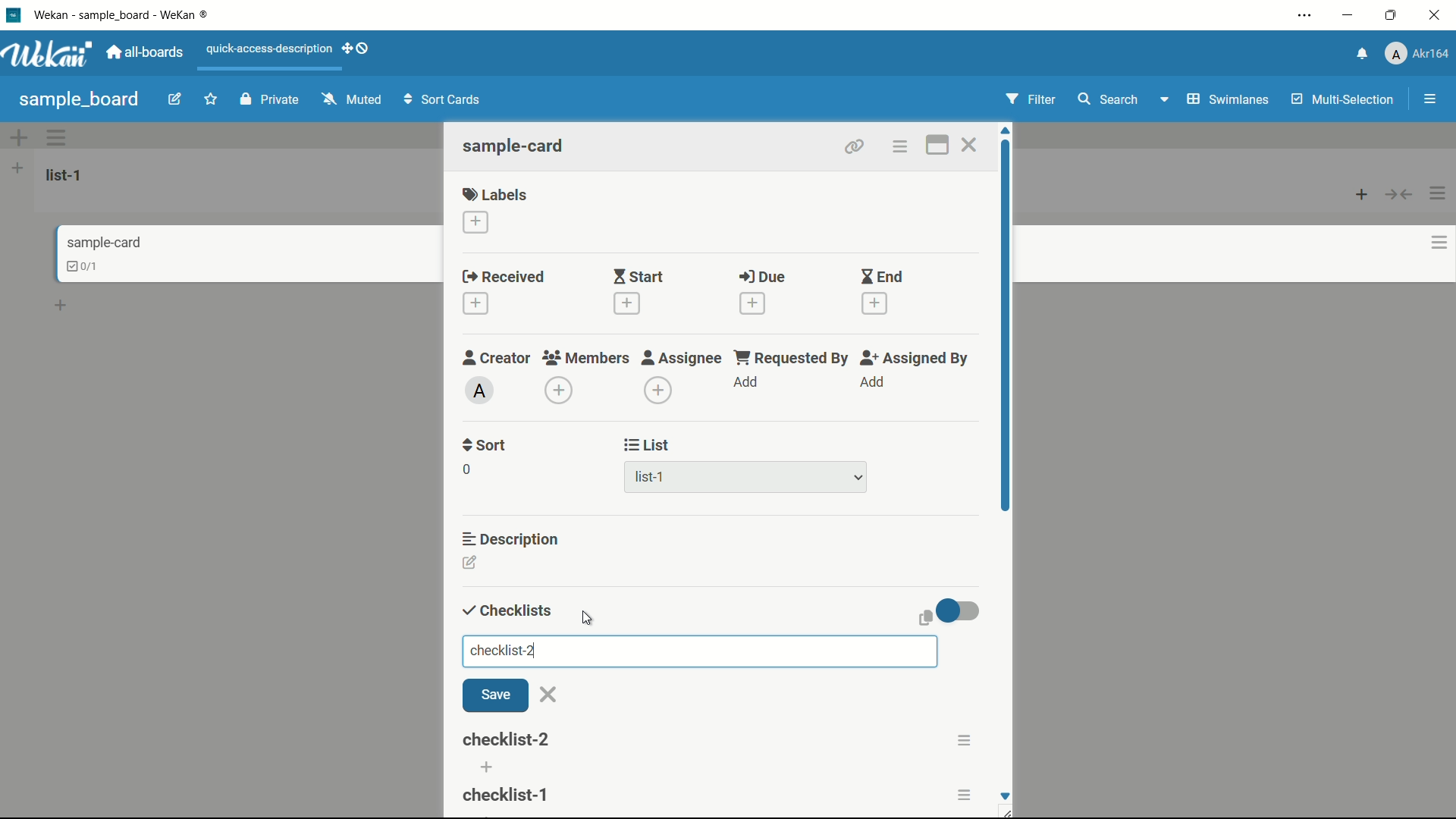 Image resolution: width=1456 pixels, height=819 pixels. What do you see at coordinates (1007, 130) in the screenshot?
I see `scroll up` at bounding box center [1007, 130].